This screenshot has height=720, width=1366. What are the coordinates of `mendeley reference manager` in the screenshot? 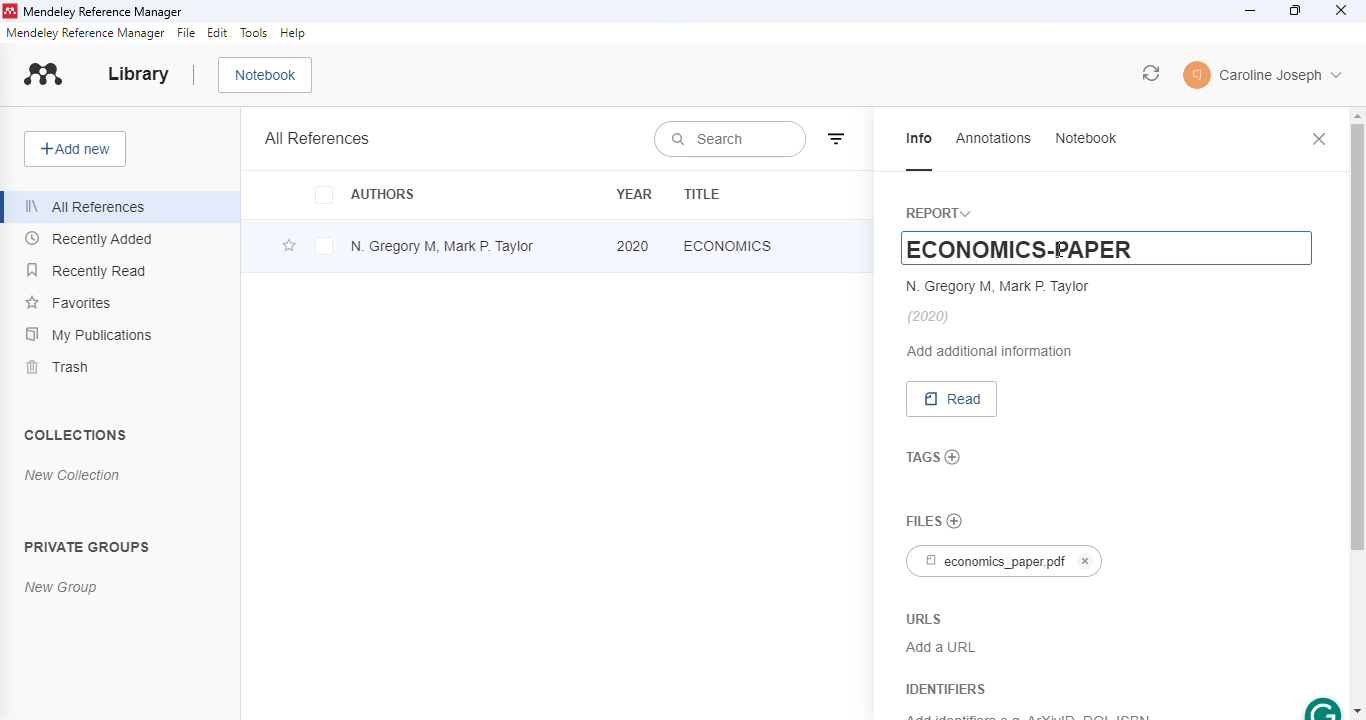 It's located at (84, 33).